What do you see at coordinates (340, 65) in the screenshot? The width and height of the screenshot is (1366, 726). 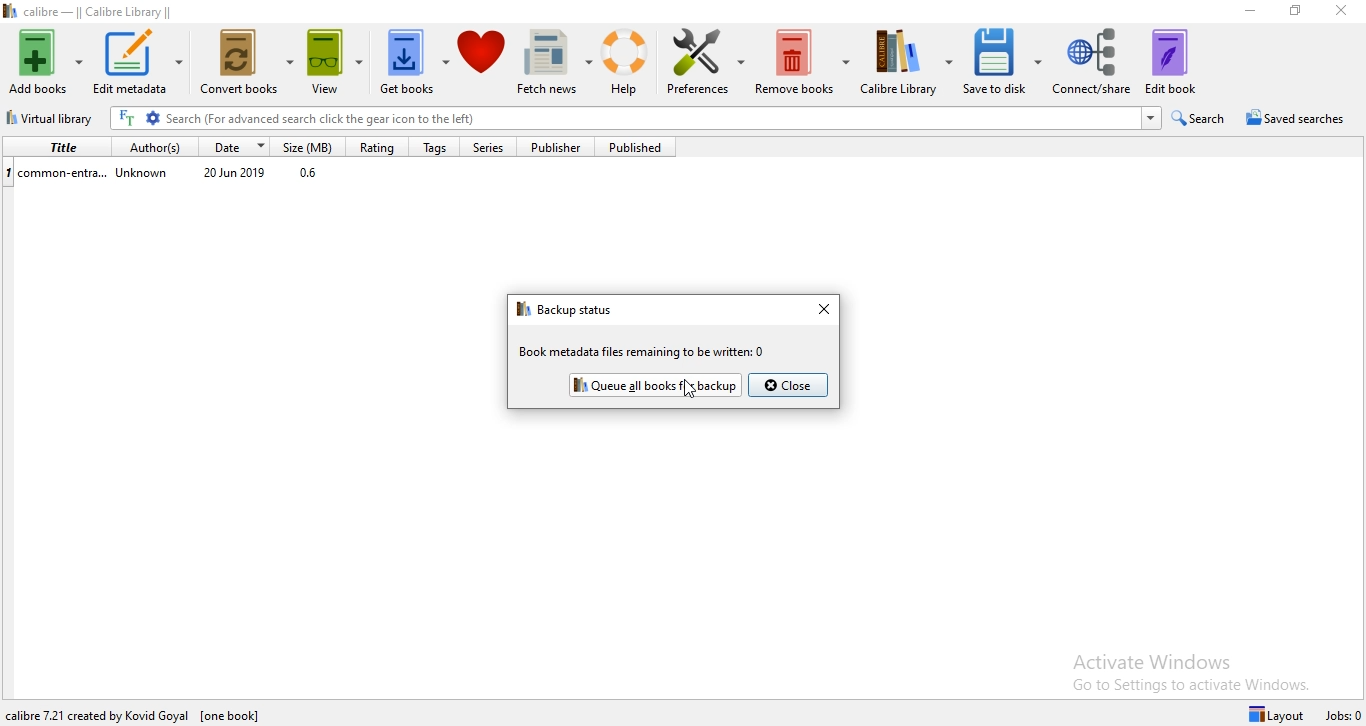 I see `View` at bounding box center [340, 65].